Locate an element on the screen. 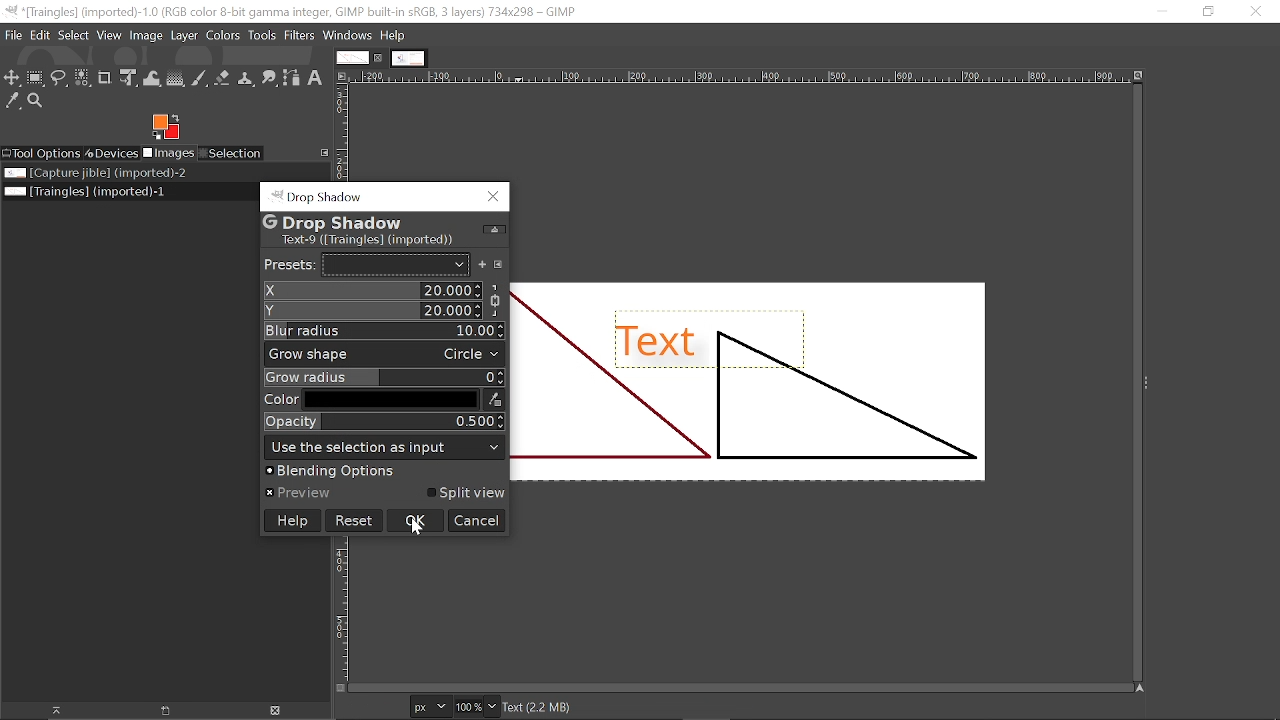 Image resolution: width=1280 pixels, height=720 pixels. G Drop Shadow is located at coordinates (342, 219).